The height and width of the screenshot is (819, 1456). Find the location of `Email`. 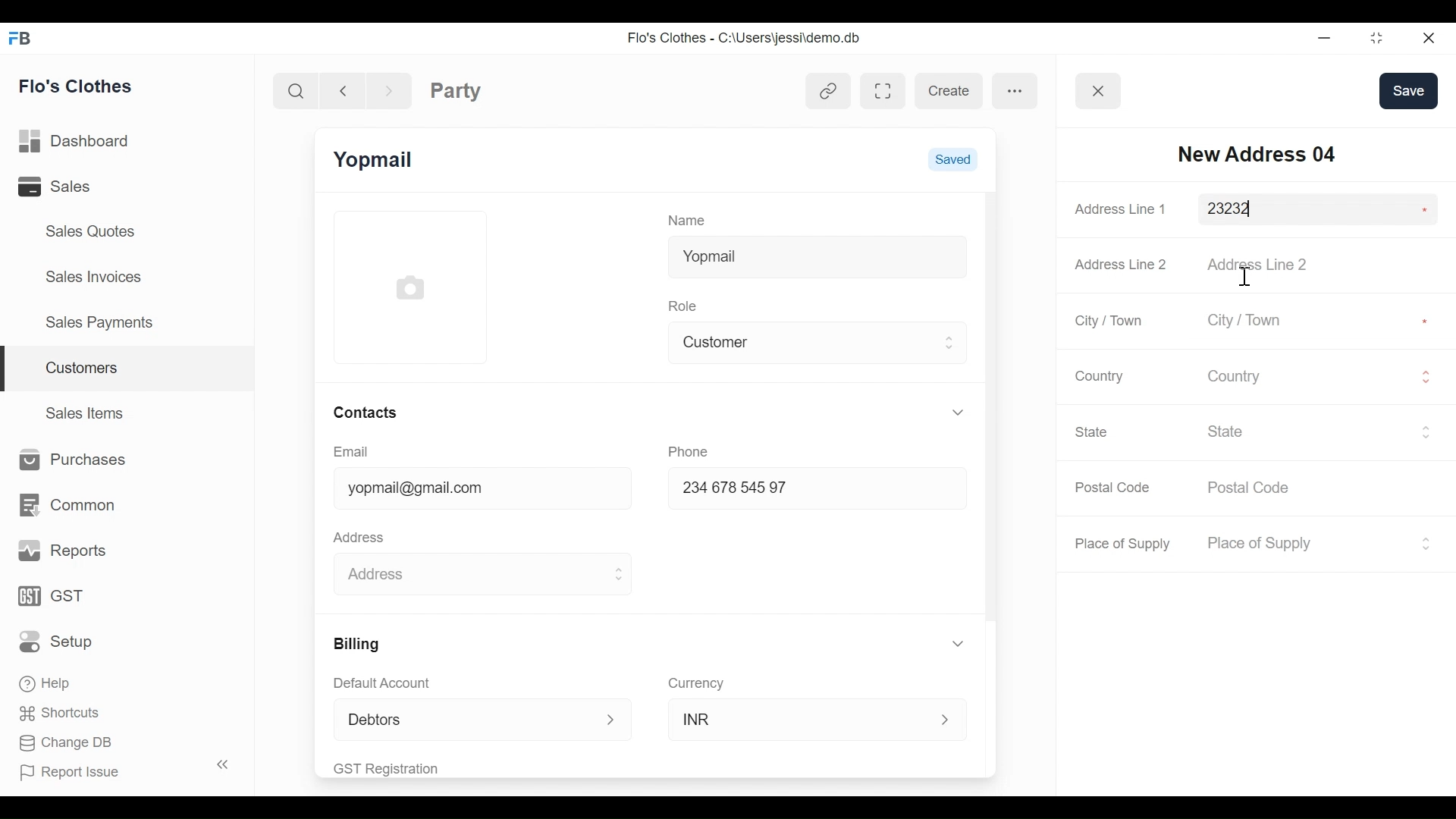

Email is located at coordinates (352, 452).